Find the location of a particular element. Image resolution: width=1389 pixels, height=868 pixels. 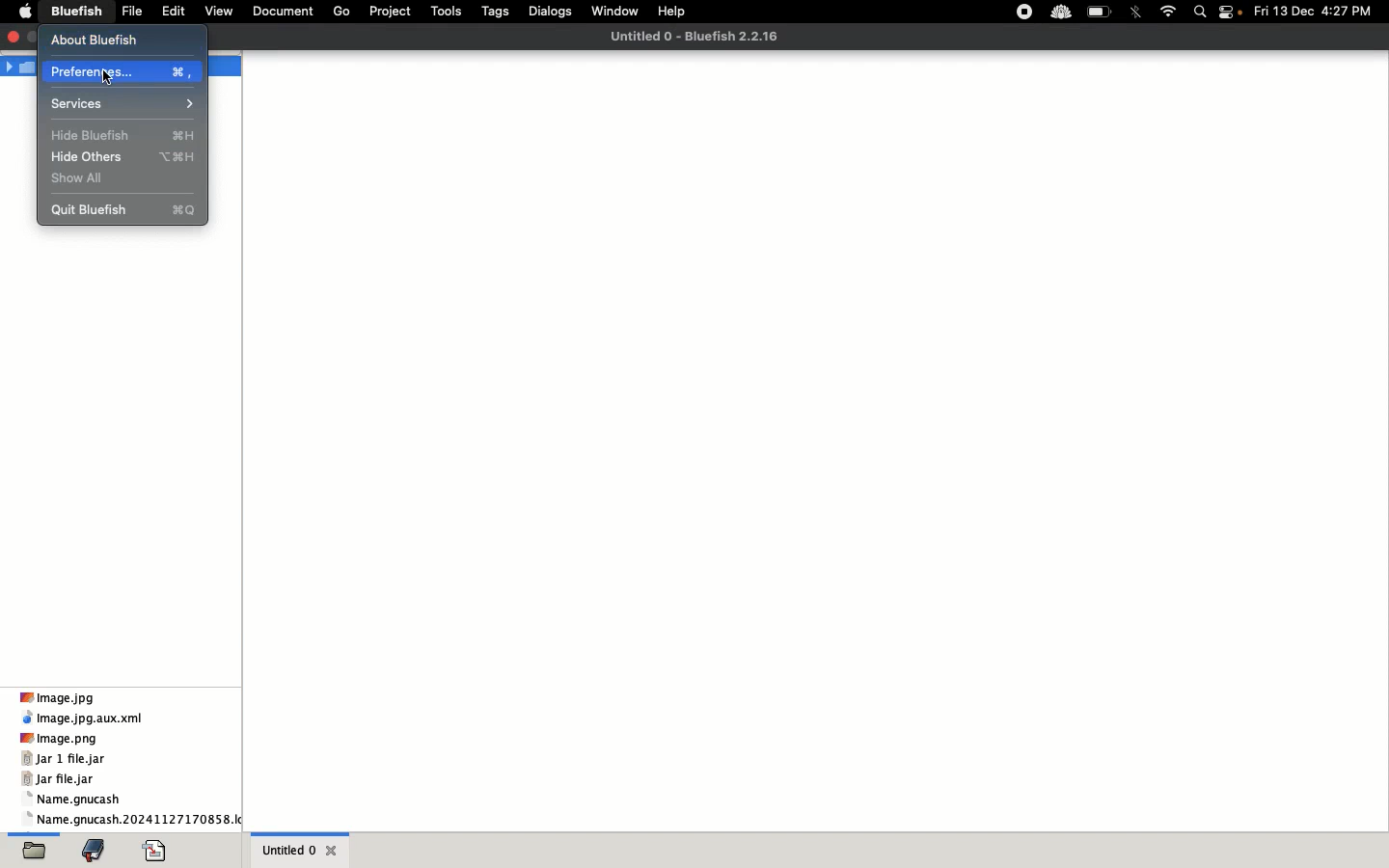

JAR is located at coordinates (68, 771).